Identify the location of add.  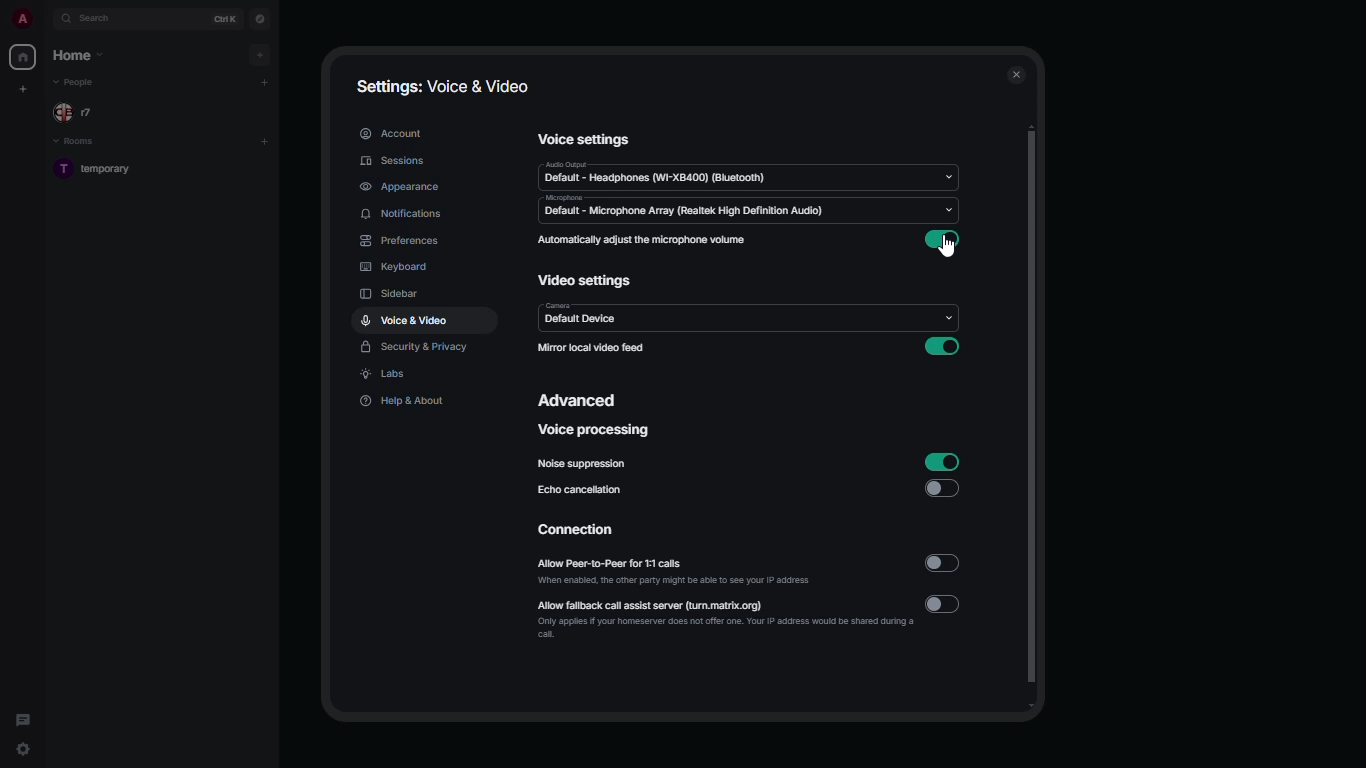
(263, 54).